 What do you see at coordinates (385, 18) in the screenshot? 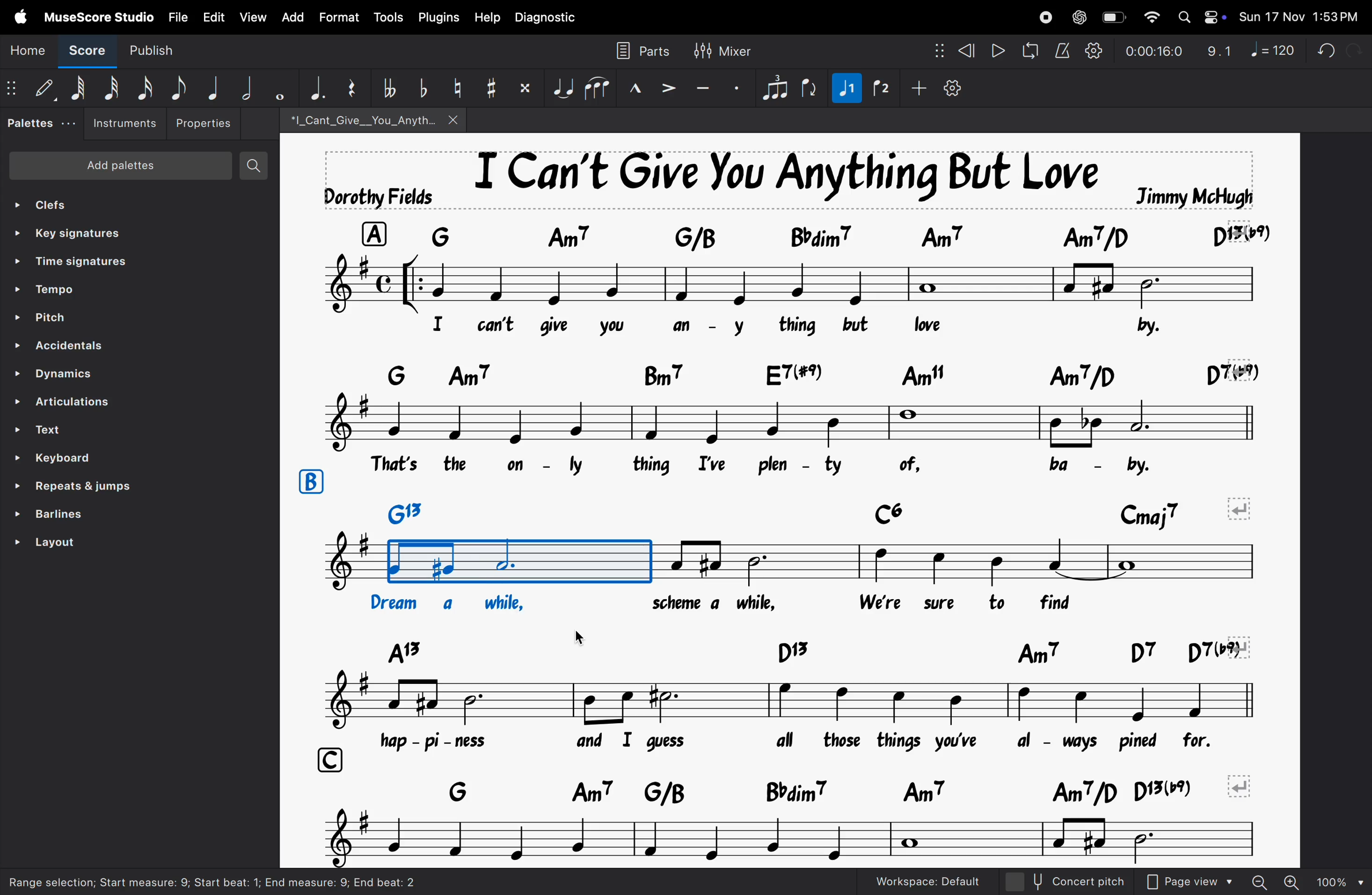
I see `tools` at bounding box center [385, 18].